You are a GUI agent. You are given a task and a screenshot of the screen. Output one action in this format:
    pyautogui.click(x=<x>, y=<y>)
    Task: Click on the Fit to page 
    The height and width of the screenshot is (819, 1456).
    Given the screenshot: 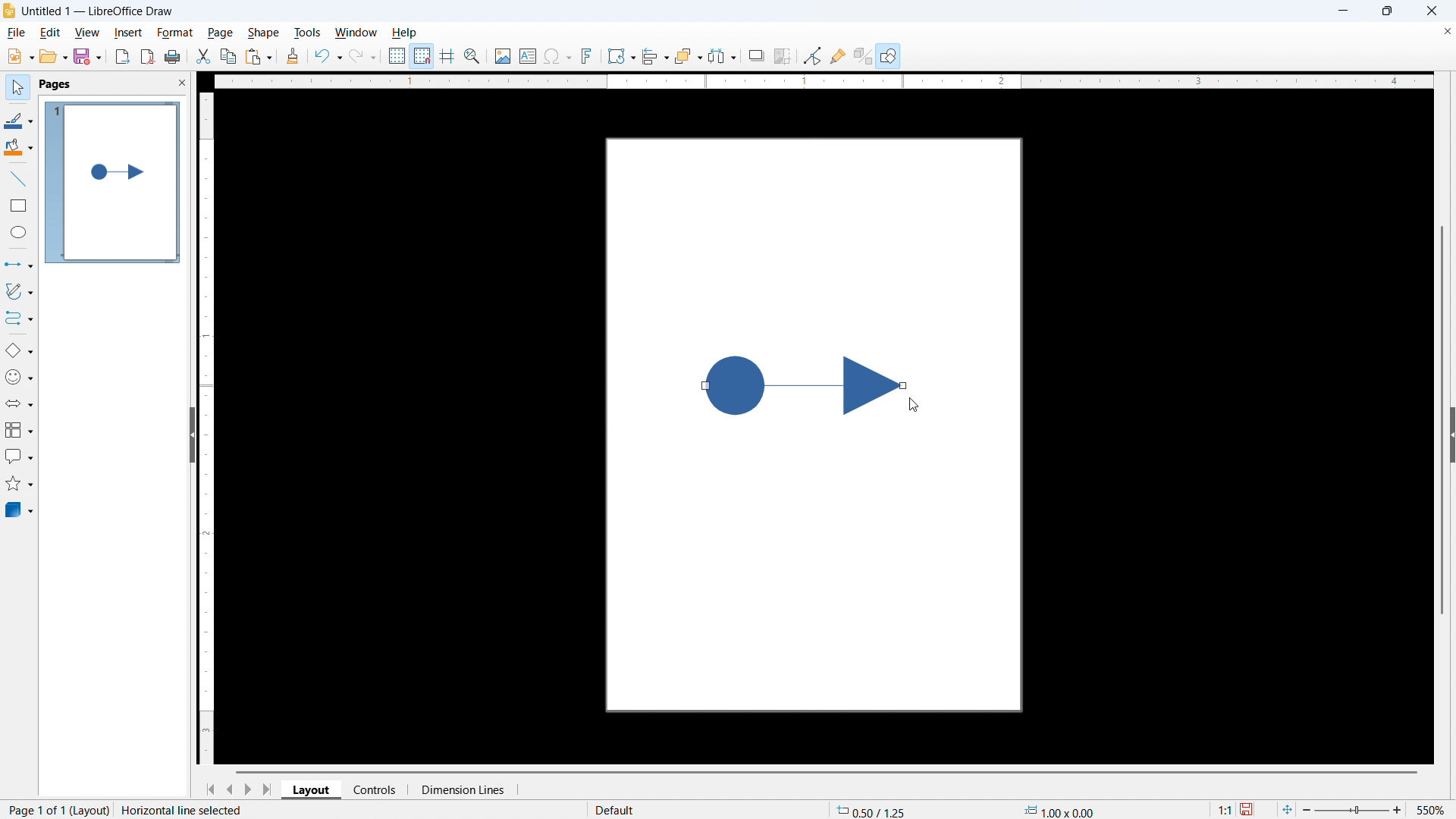 What is the action you would take?
    pyautogui.click(x=1286, y=810)
    